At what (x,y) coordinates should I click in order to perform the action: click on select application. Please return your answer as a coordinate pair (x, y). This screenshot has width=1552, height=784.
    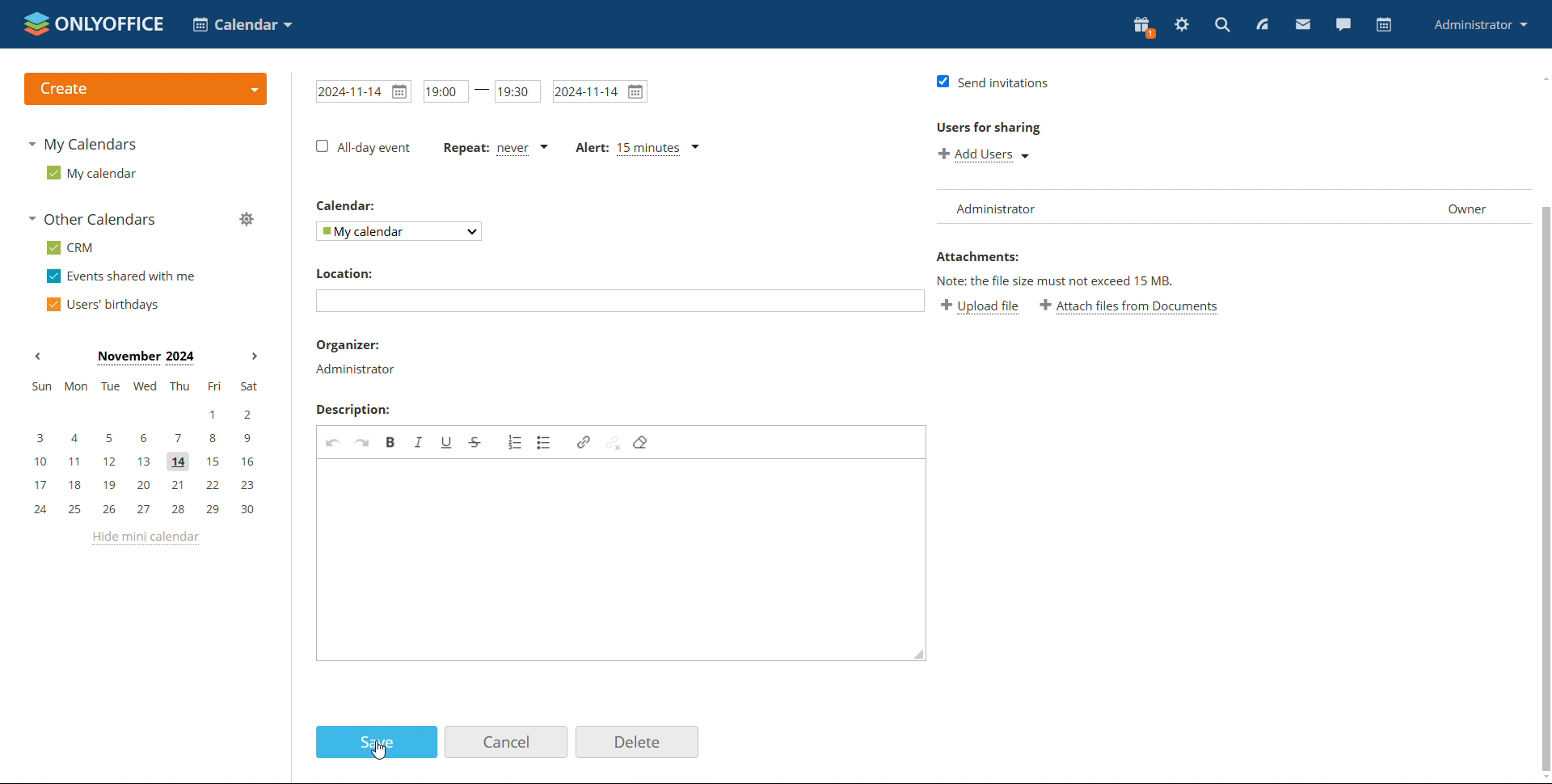
    Looking at the image, I should click on (242, 24).